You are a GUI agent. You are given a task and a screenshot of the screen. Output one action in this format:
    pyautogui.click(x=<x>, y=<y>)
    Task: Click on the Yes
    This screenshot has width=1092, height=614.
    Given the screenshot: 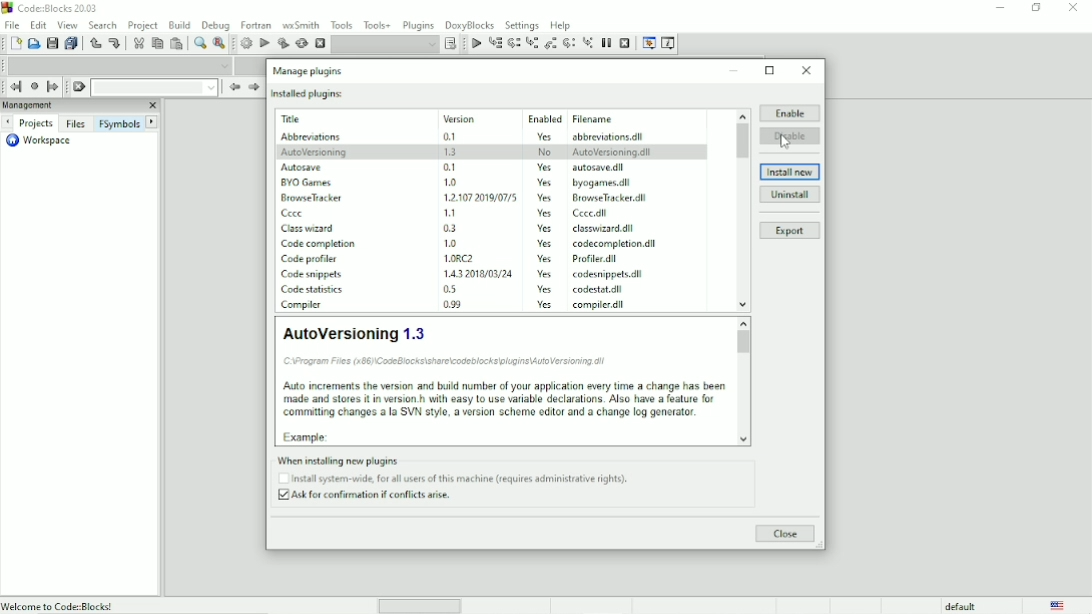 What is the action you would take?
    pyautogui.click(x=548, y=306)
    